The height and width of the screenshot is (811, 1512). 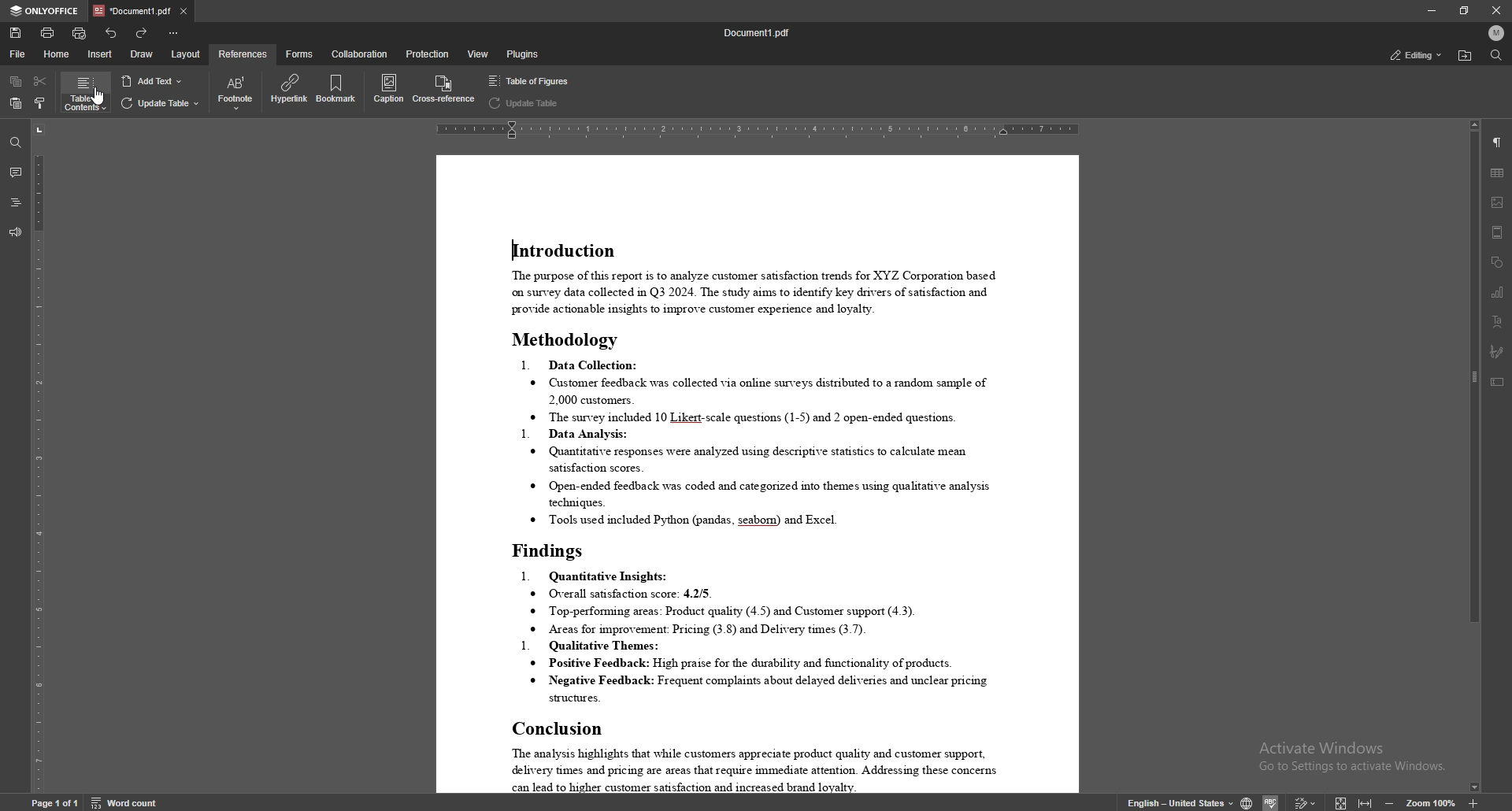 I want to click on table of contents, so click(x=85, y=93).